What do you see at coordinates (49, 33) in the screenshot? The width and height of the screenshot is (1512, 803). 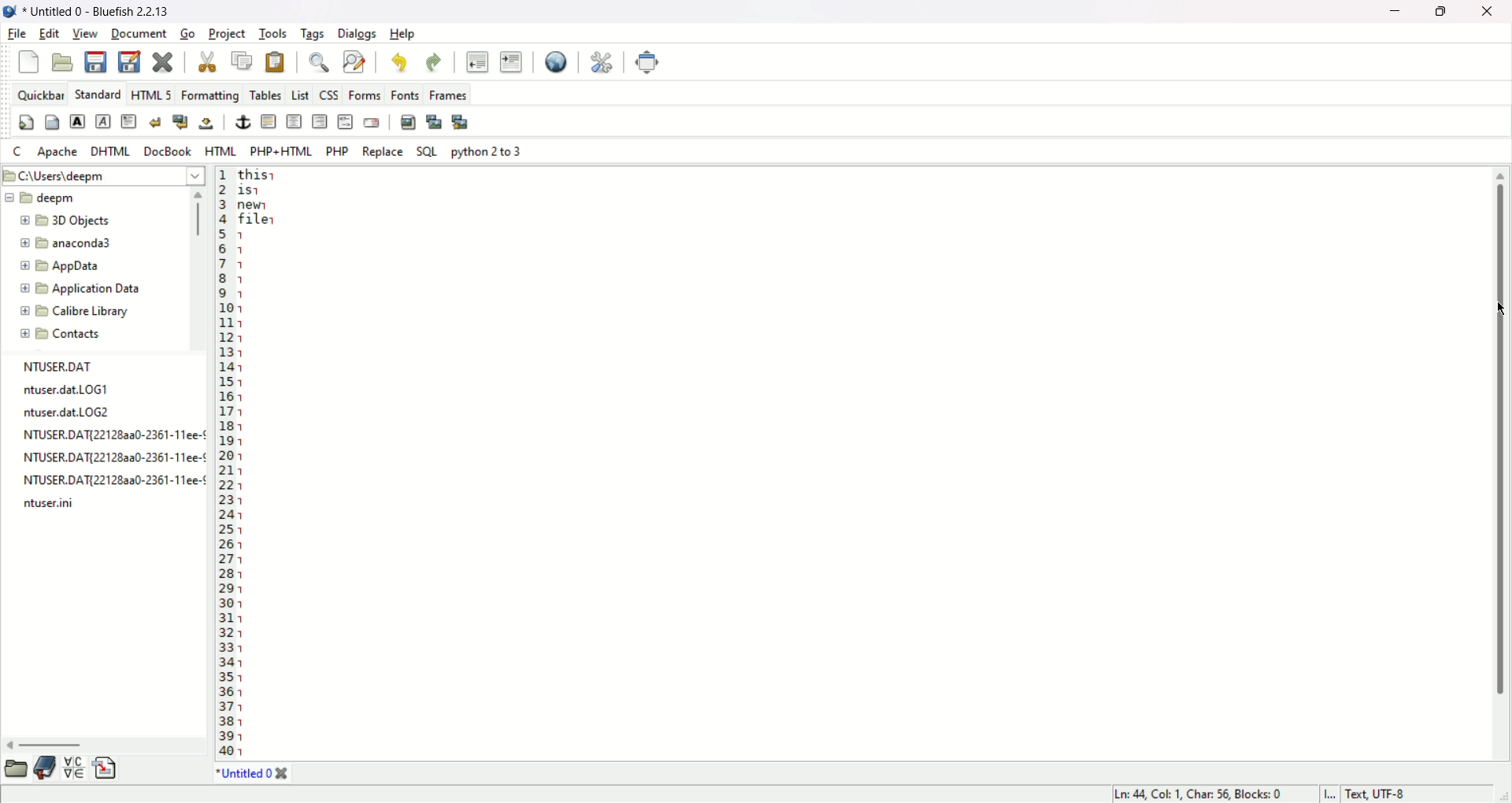 I see `edit` at bounding box center [49, 33].